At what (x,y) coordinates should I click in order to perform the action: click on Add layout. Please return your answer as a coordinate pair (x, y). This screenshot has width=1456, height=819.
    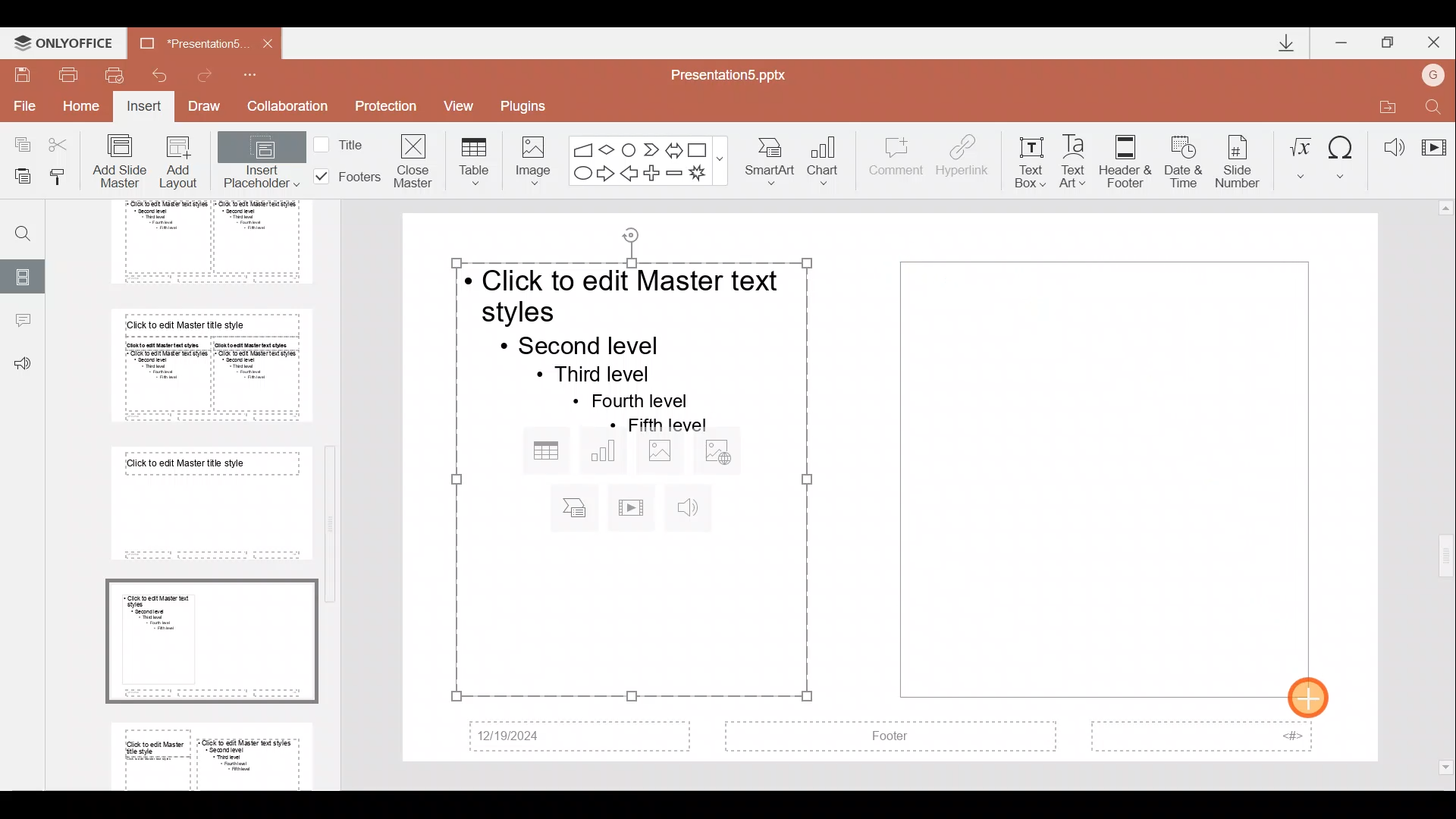
    Looking at the image, I should click on (179, 165).